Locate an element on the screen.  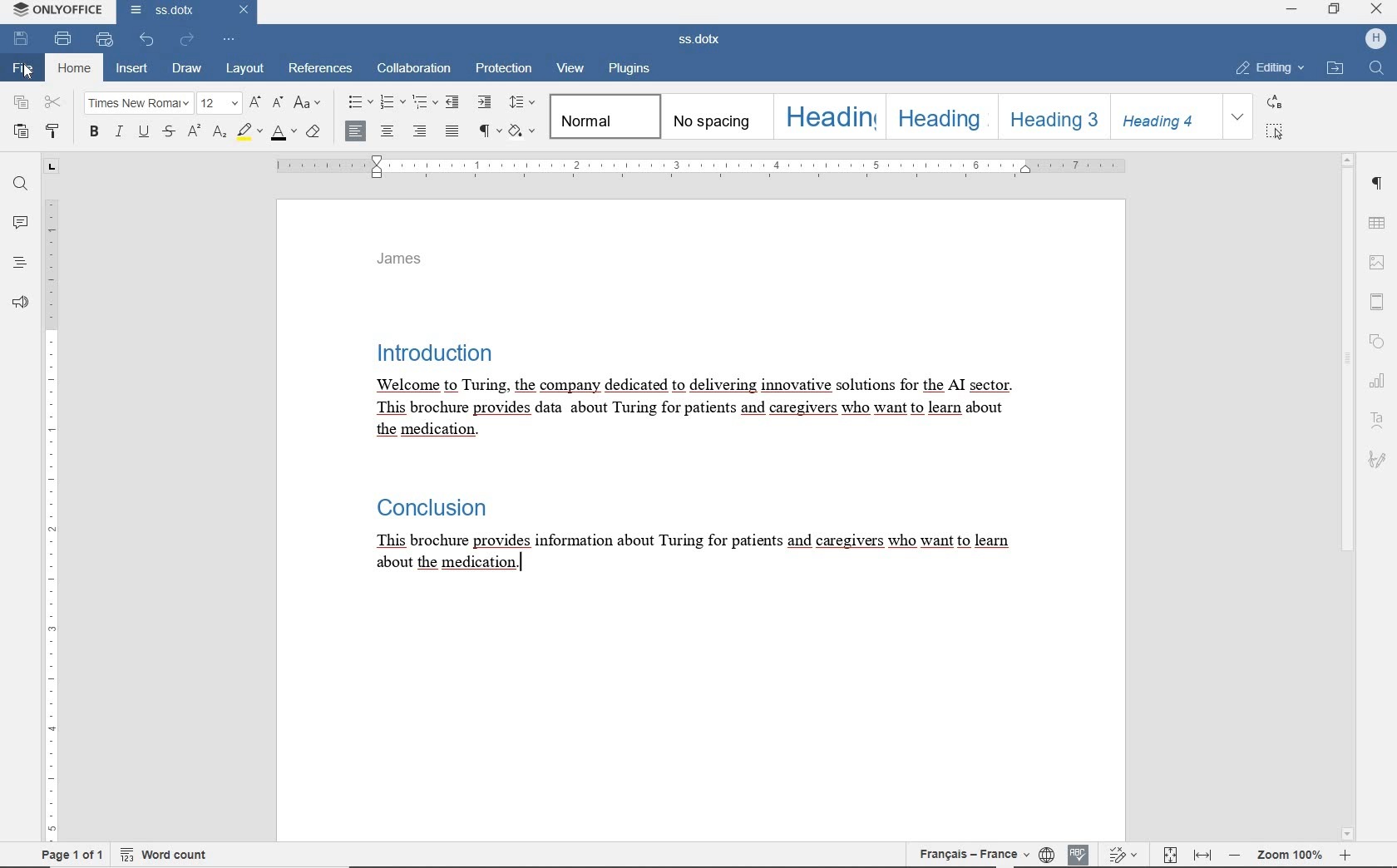
close is located at coordinates (1375, 8).